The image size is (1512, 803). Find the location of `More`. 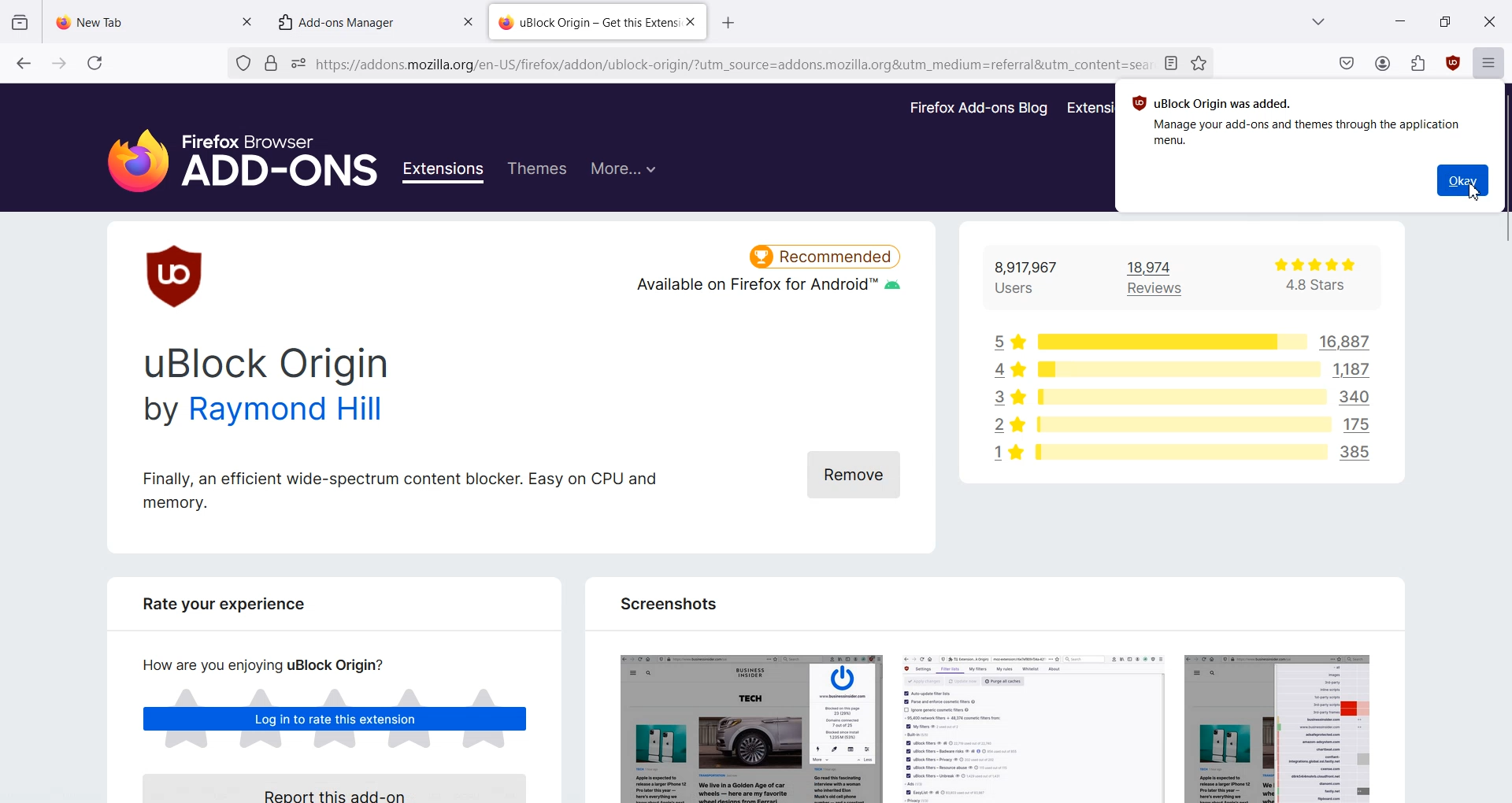

More is located at coordinates (623, 167).